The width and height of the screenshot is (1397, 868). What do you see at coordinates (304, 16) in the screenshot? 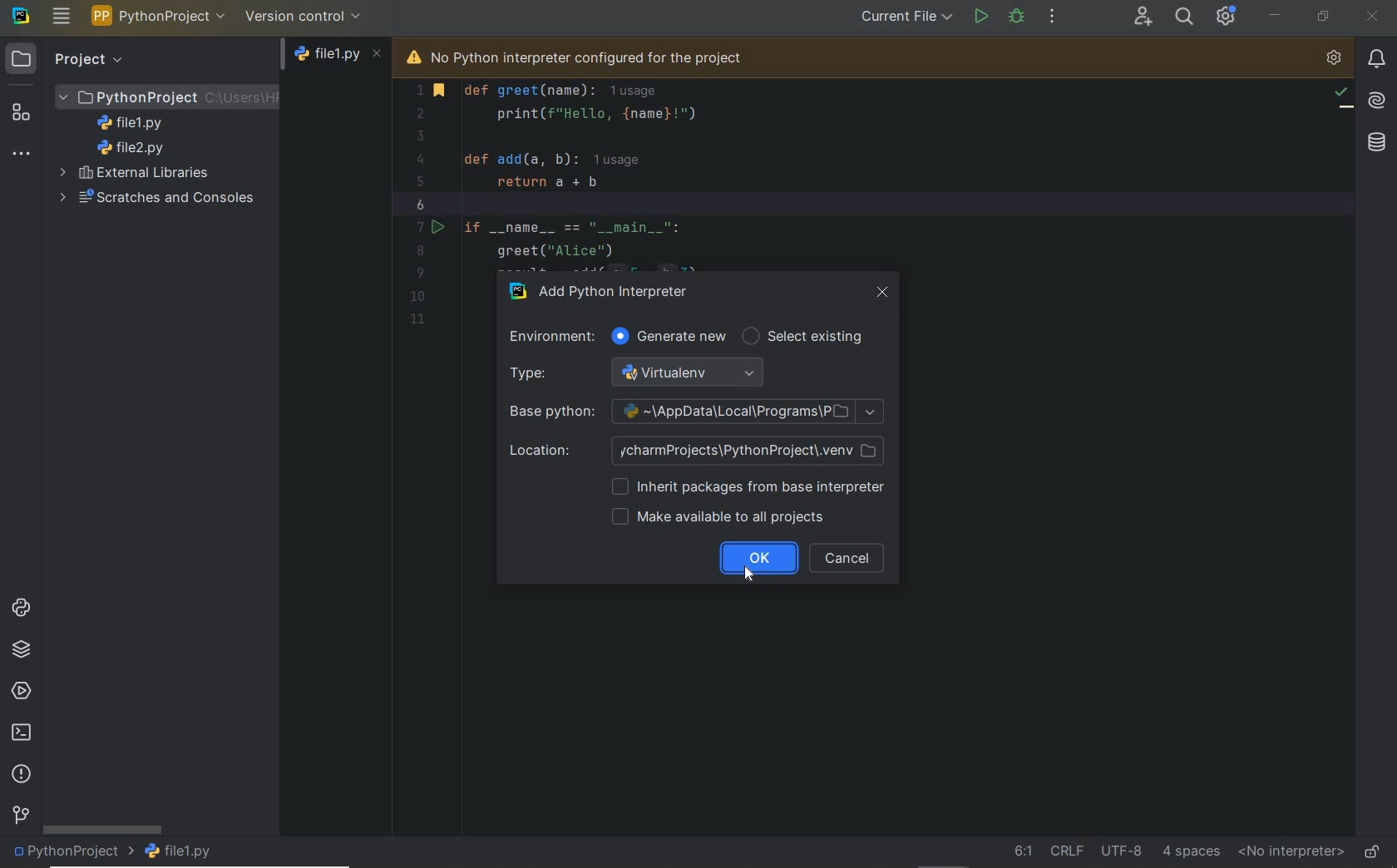
I see `version control` at bounding box center [304, 16].